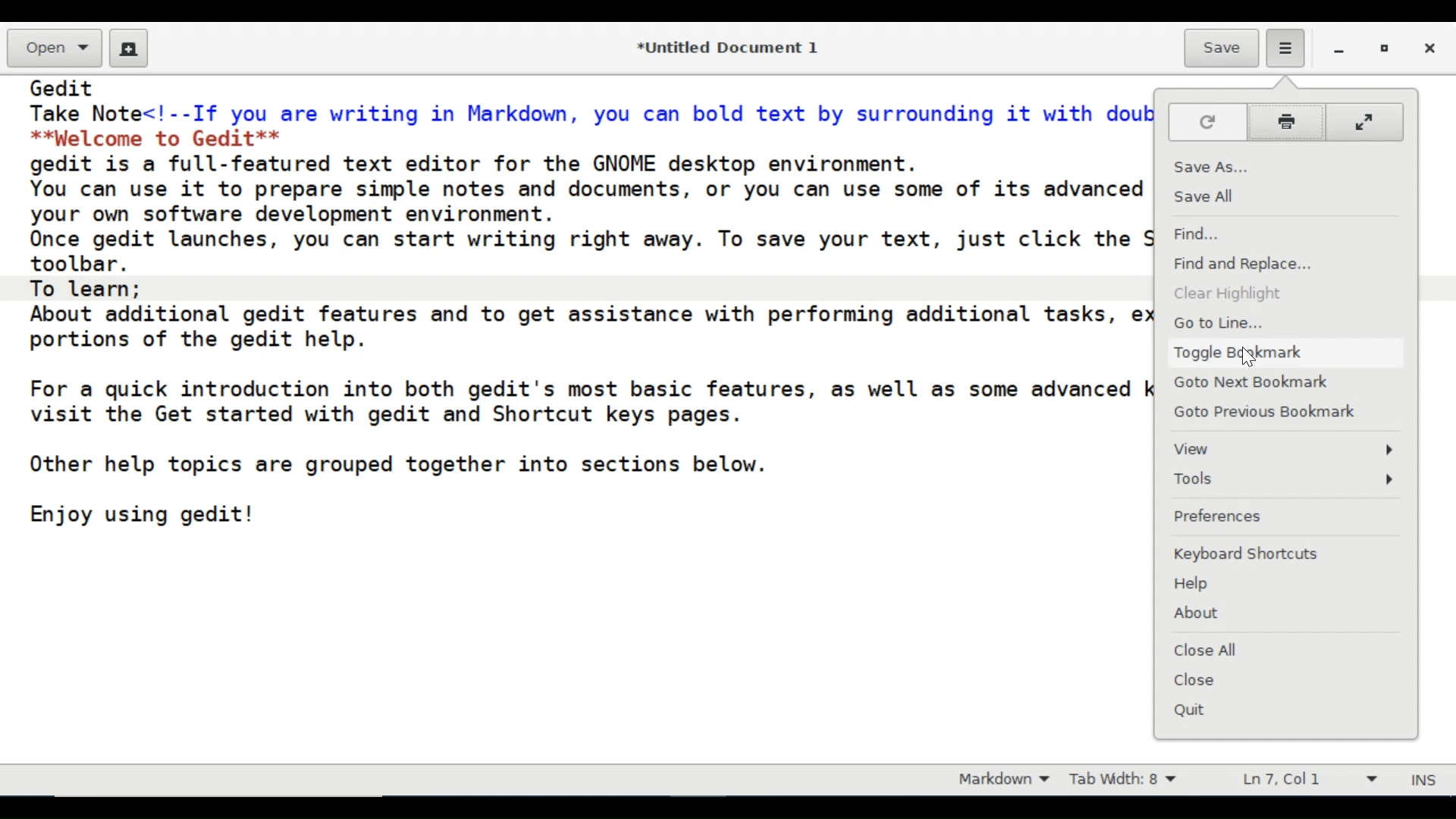 This screenshot has height=819, width=1456. What do you see at coordinates (1226, 296) in the screenshot?
I see `Clear Highlight` at bounding box center [1226, 296].